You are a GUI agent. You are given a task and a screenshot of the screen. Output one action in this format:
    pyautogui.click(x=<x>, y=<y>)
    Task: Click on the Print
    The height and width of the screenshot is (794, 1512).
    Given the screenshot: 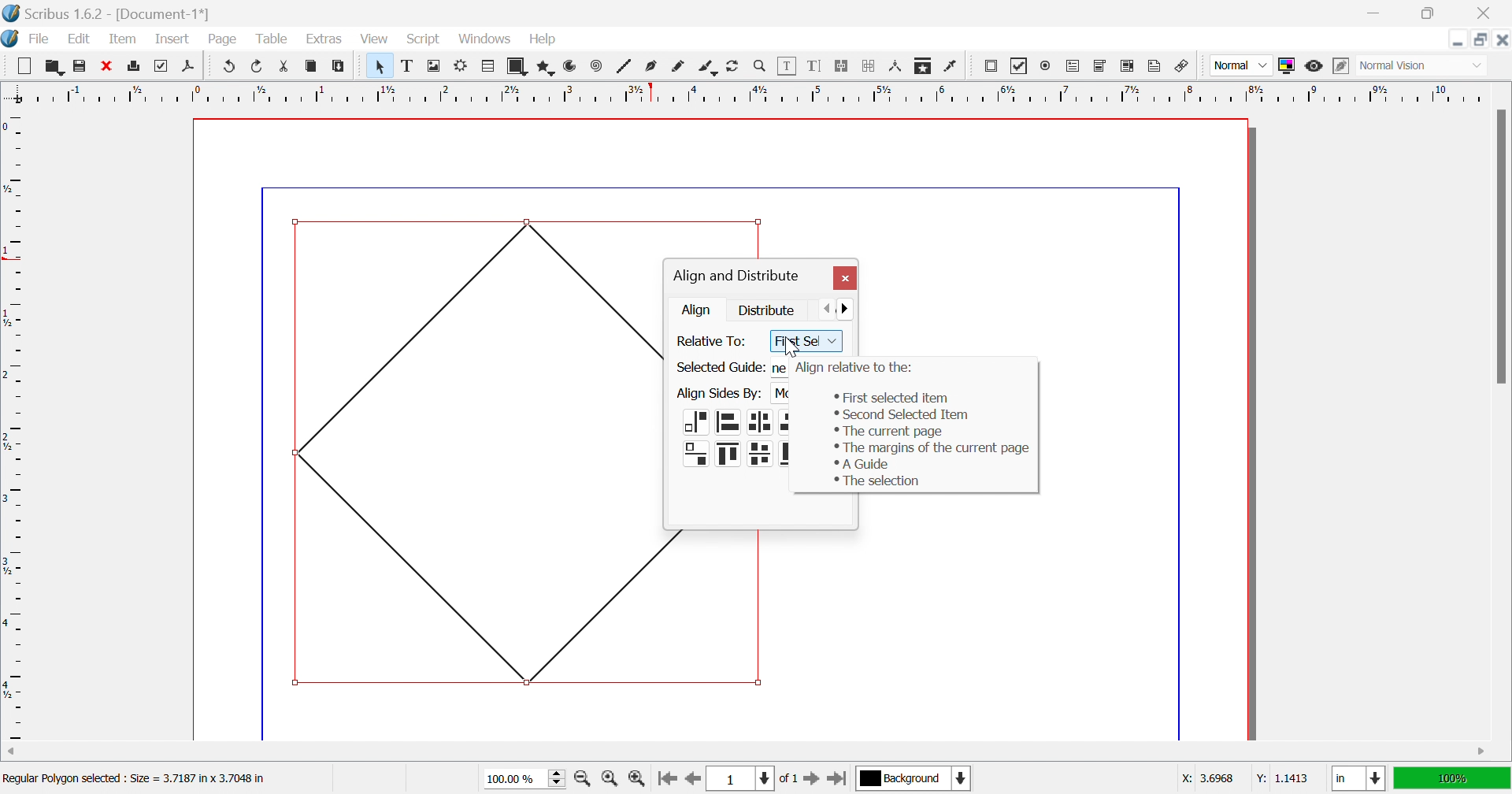 What is the action you would take?
    pyautogui.click(x=158, y=66)
    